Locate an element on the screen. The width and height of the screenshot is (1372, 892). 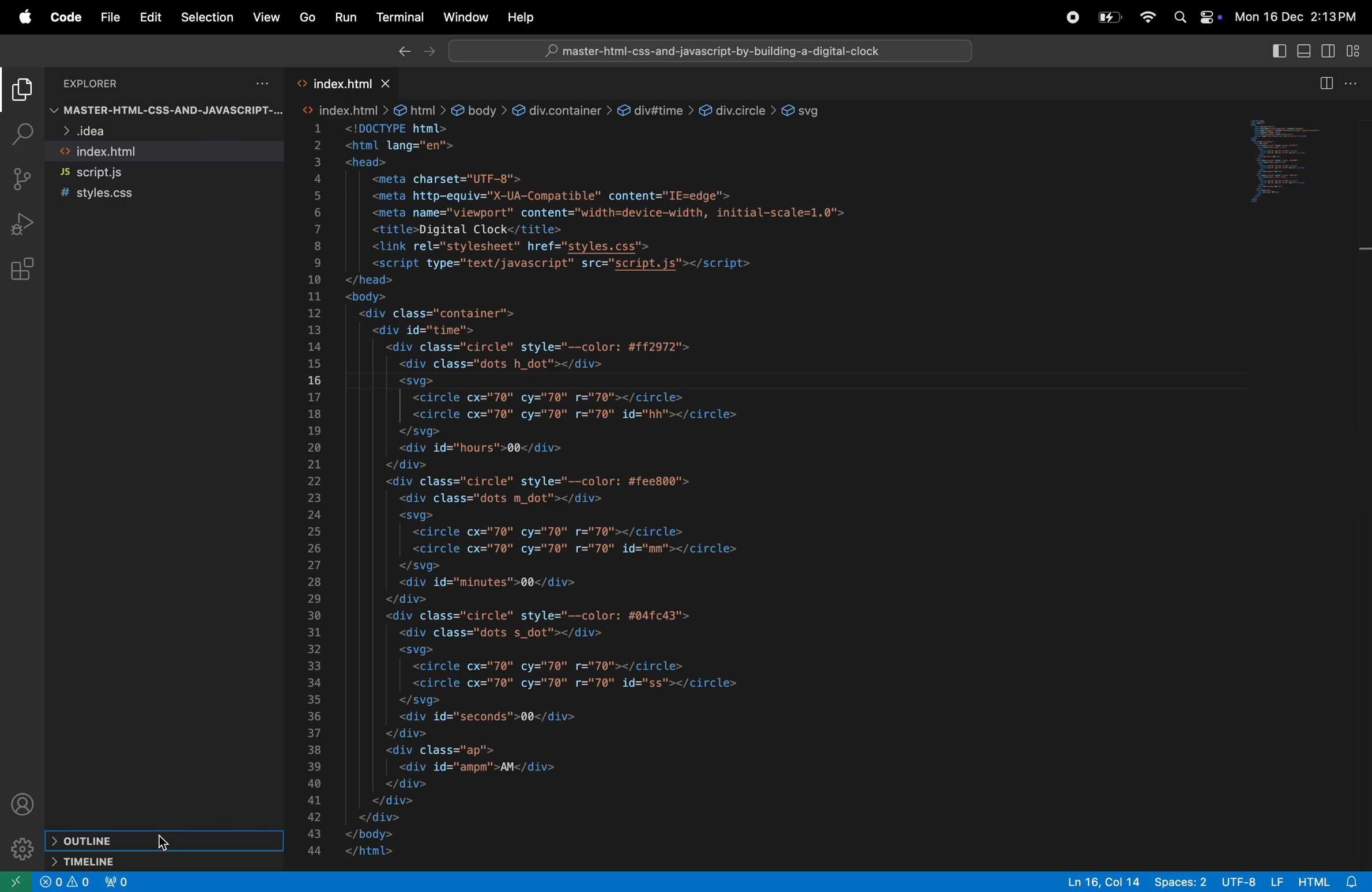
time line is located at coordinates (133, 860).